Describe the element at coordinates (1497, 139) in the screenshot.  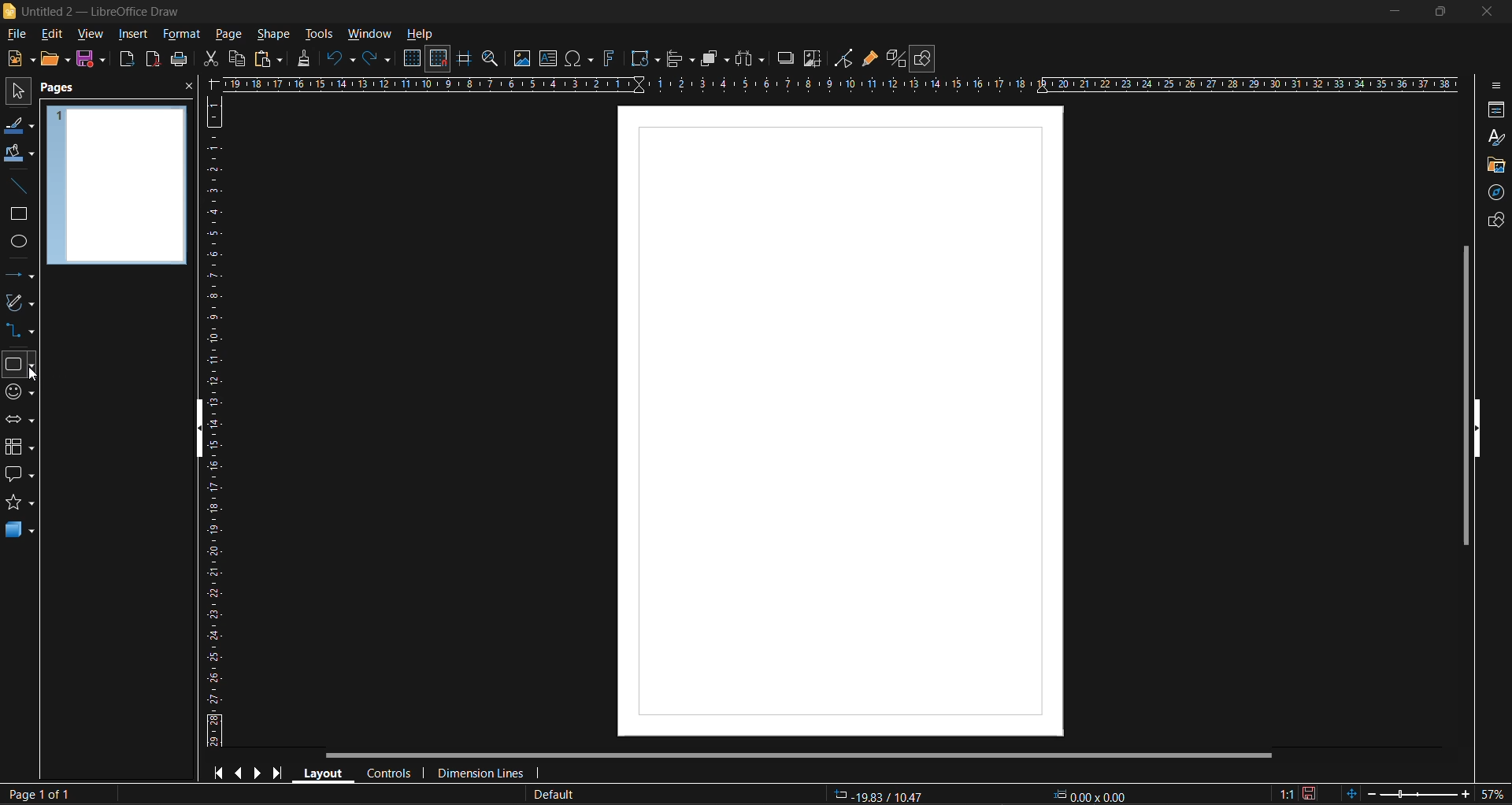
I see `styles` at that location.